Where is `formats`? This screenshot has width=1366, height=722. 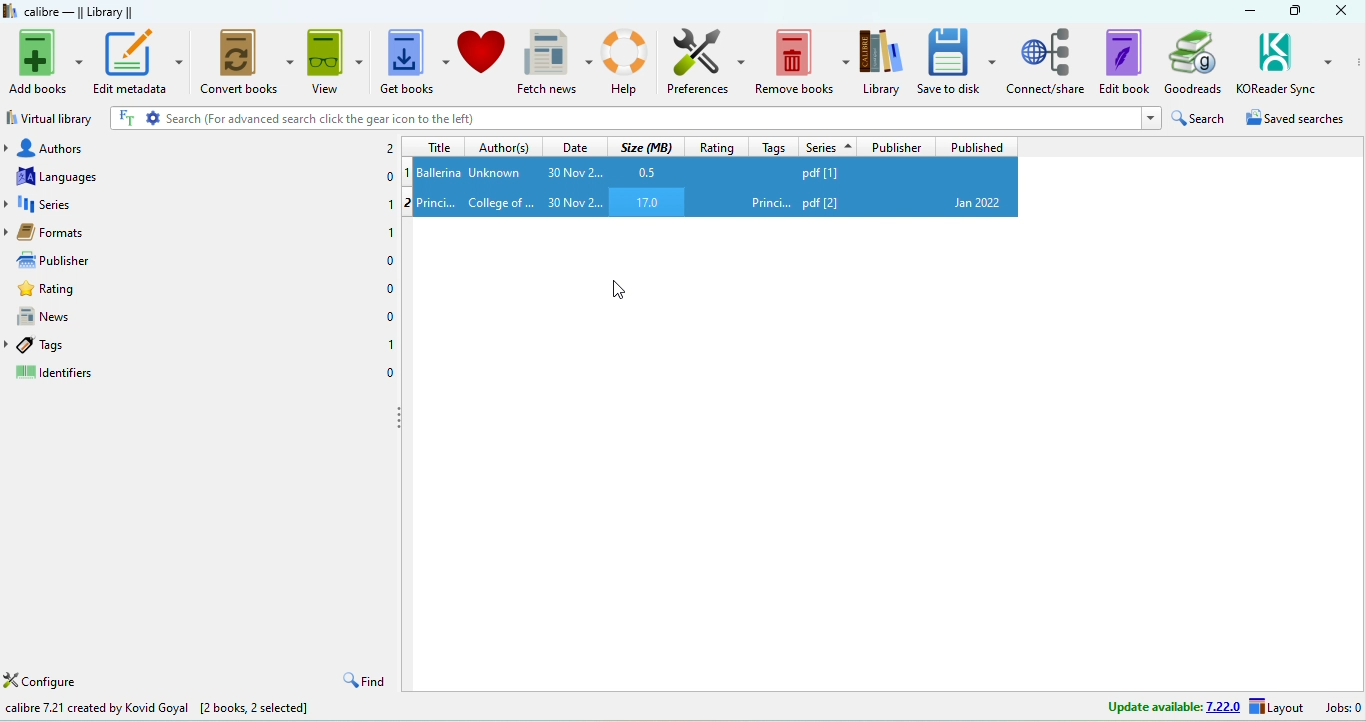
formats is located at coordinates (83, 230).